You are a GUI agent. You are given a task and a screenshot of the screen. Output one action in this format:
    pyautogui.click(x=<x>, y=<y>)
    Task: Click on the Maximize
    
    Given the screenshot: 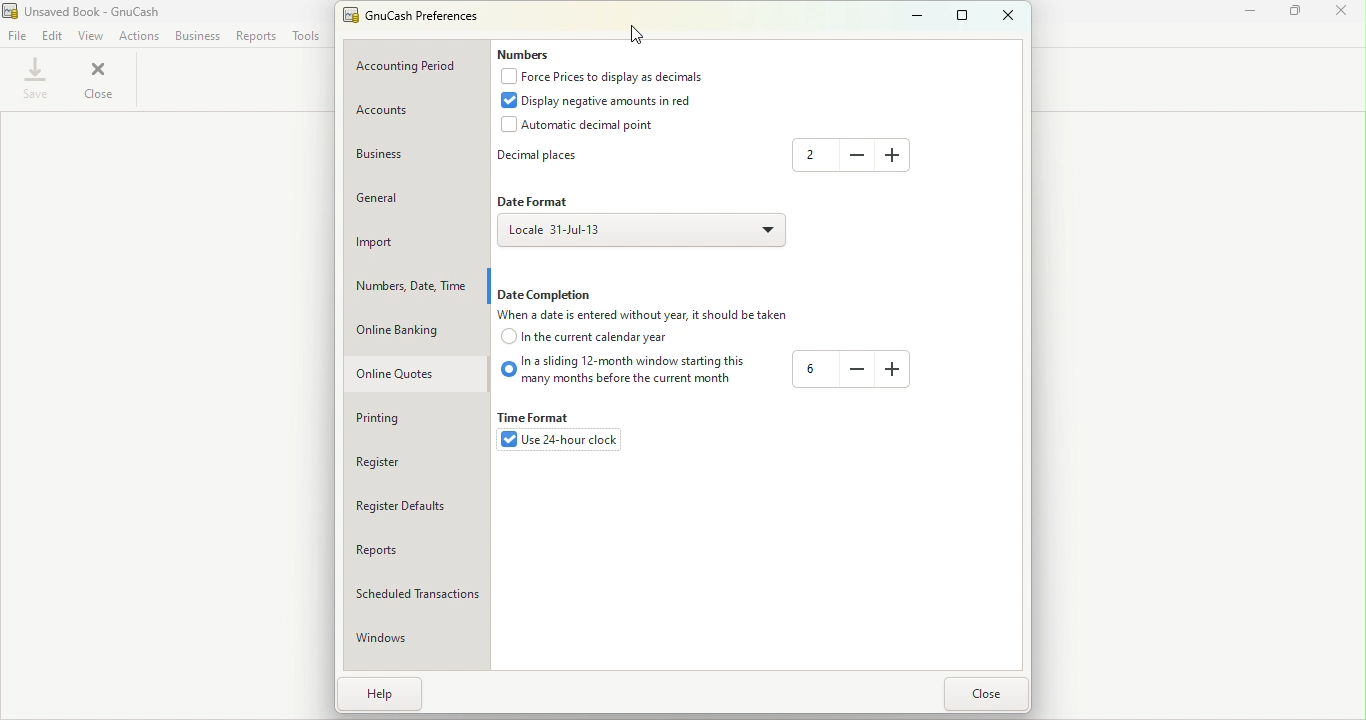 What is the action you would take?
    pyautogui.click(x=964, y=17)
    